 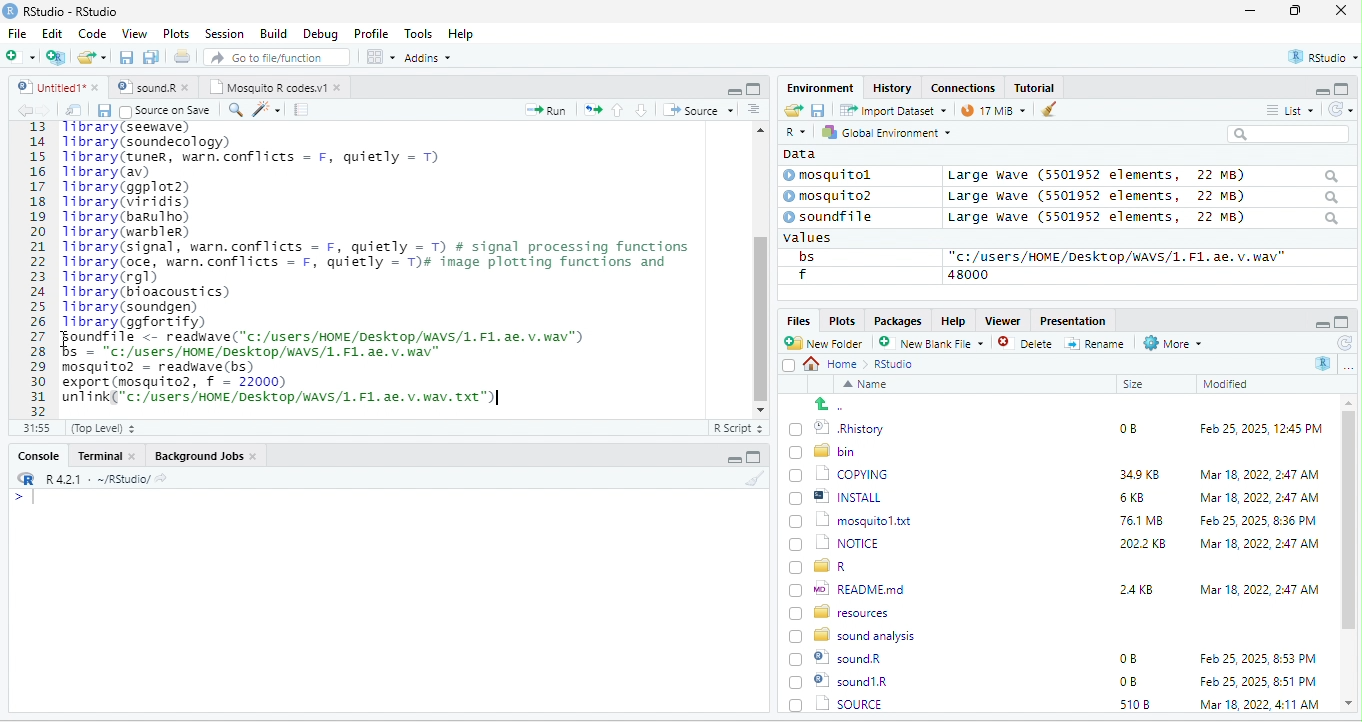 What do you see at coordinates (1261, 431) in the screenshot?
I see `Feb 25, 2025, 12:45 PM` at bounding box center [1261, 431].